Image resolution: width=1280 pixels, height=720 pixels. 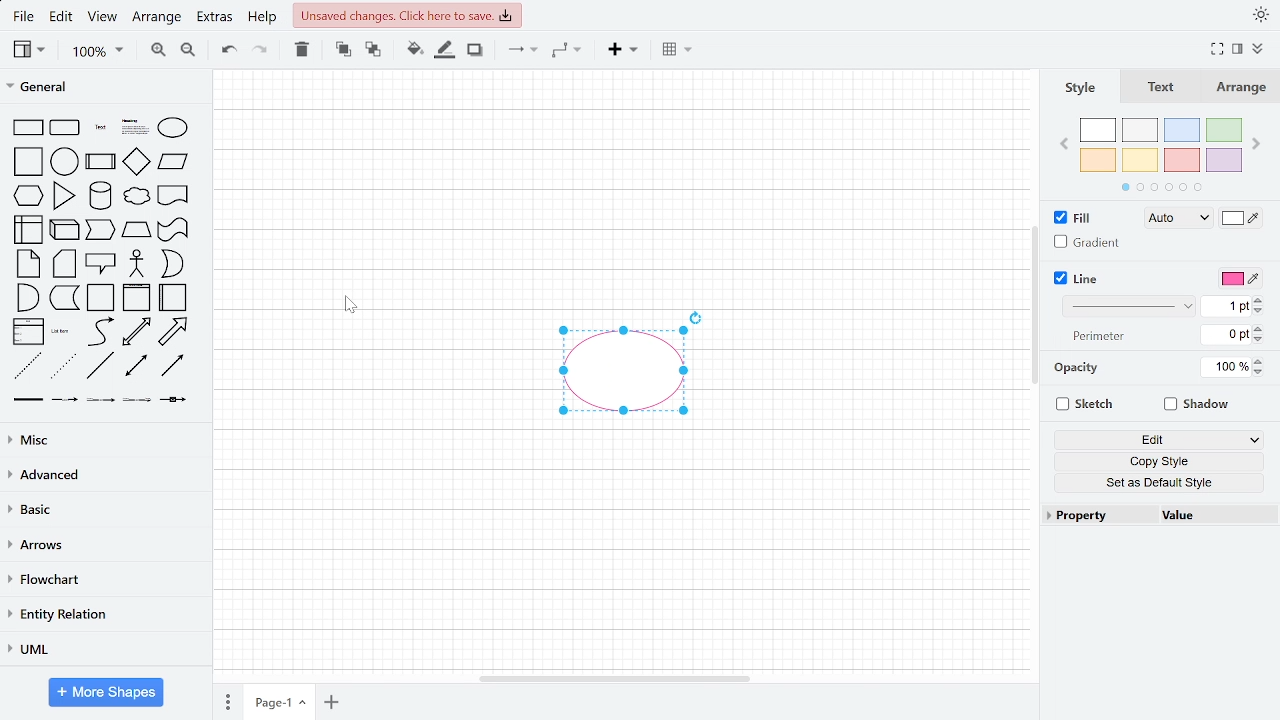 What do you see at coordinates (341, 50) in the screenshot?
I see `to front` at bounding box center [341, 50].